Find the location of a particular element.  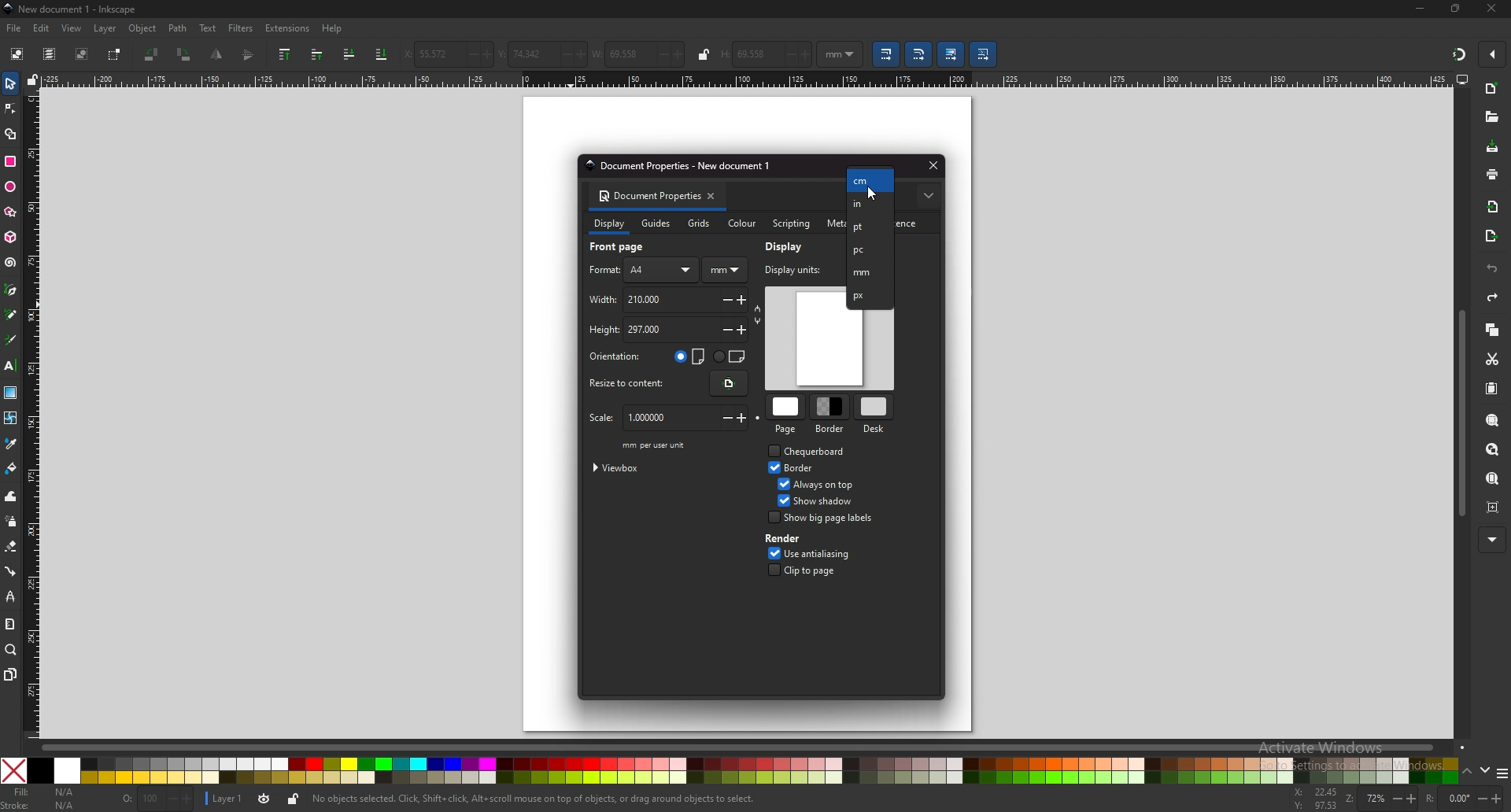

border is located at coordinates (804, 468).